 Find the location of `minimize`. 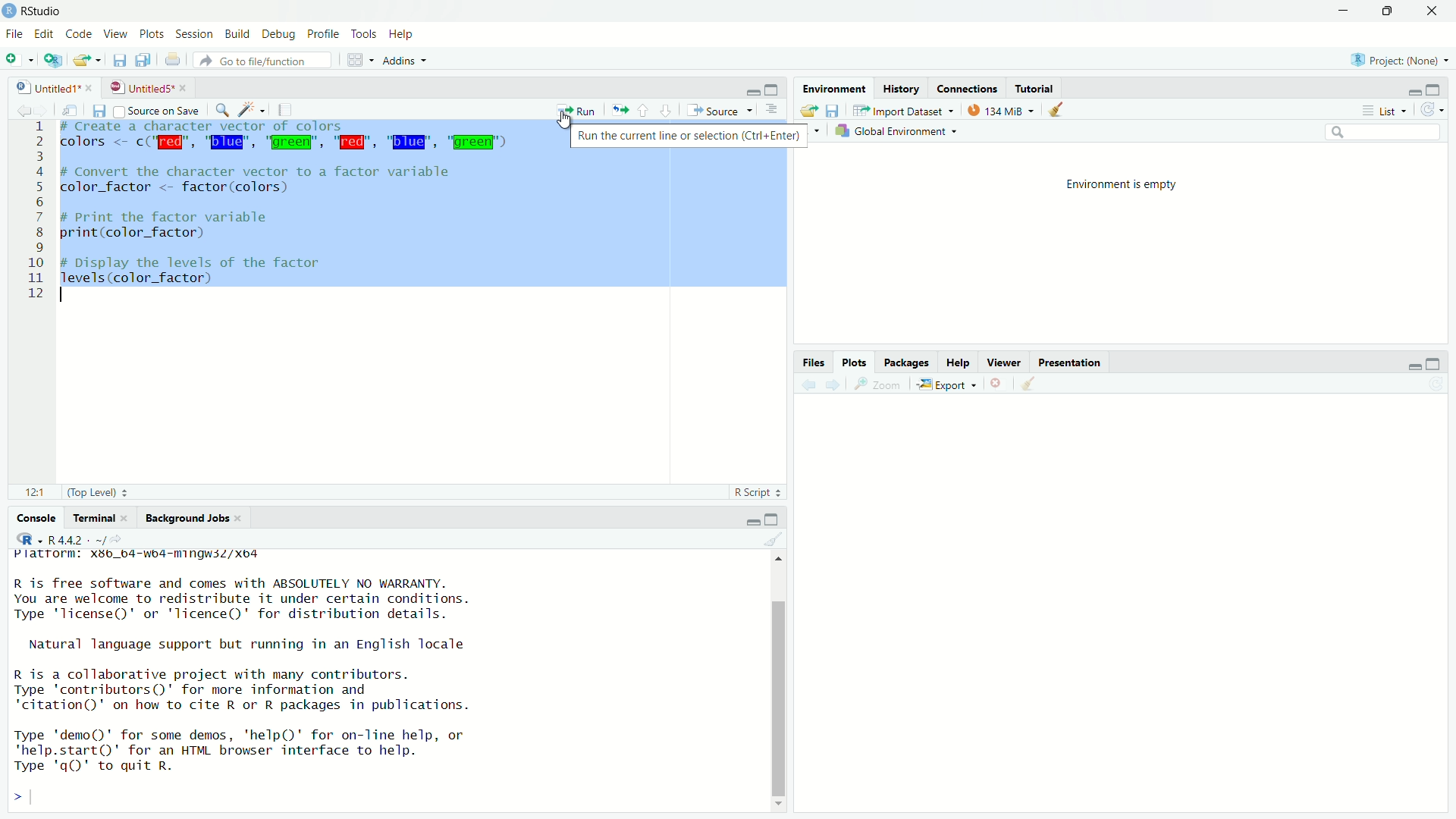

minimize is located at coordinates (1345, 9).